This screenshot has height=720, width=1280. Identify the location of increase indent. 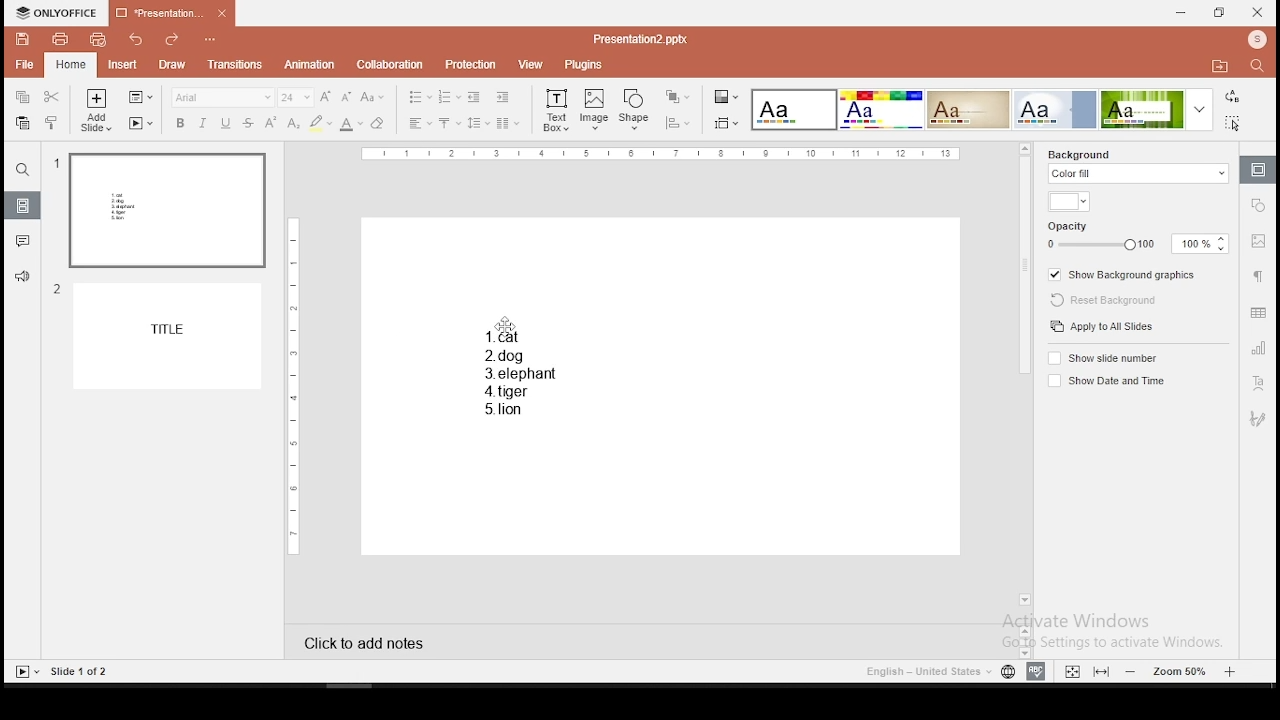
(503, 96).